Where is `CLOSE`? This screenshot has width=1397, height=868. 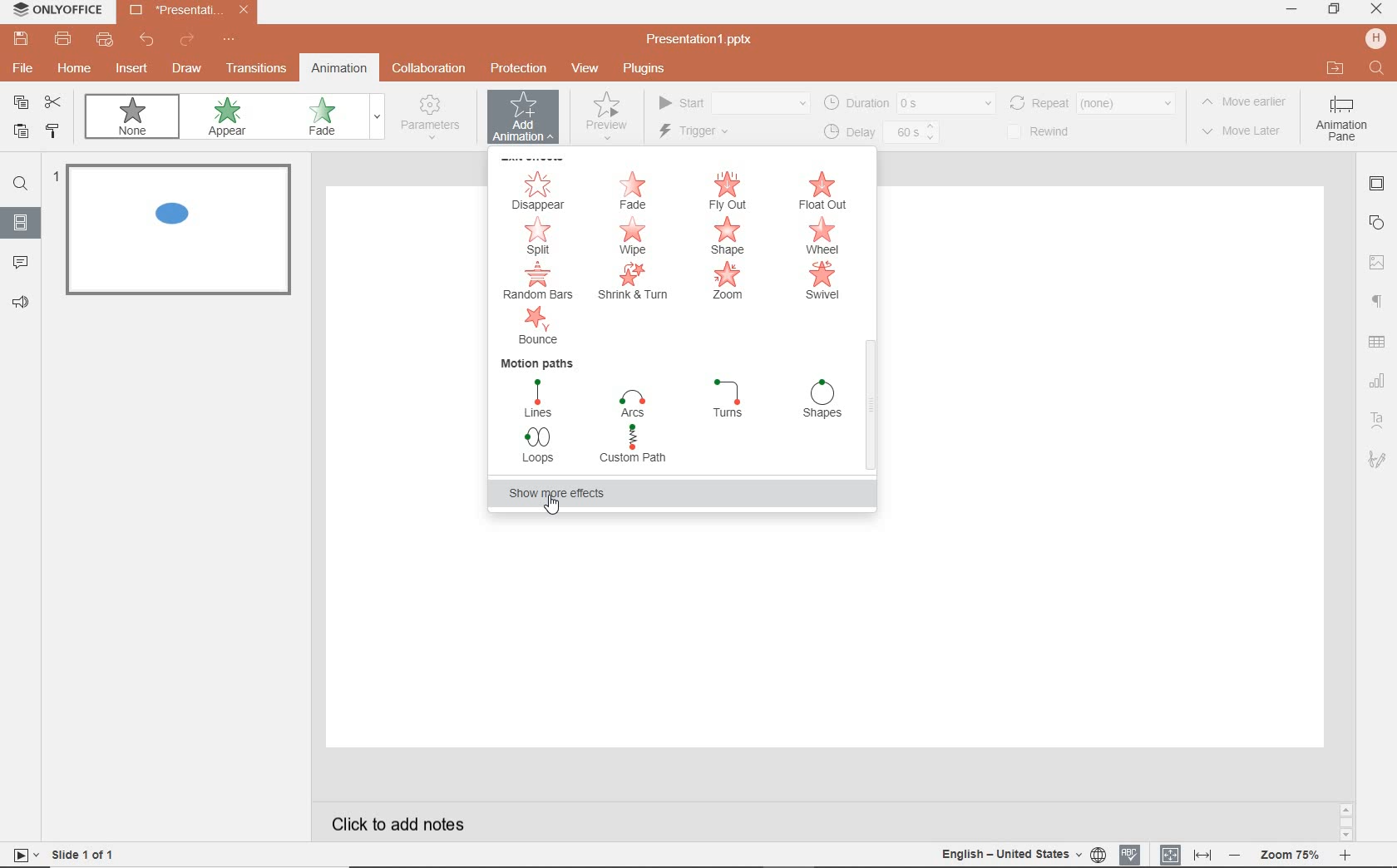
CLOSE is located at coordinates (1375, 9).